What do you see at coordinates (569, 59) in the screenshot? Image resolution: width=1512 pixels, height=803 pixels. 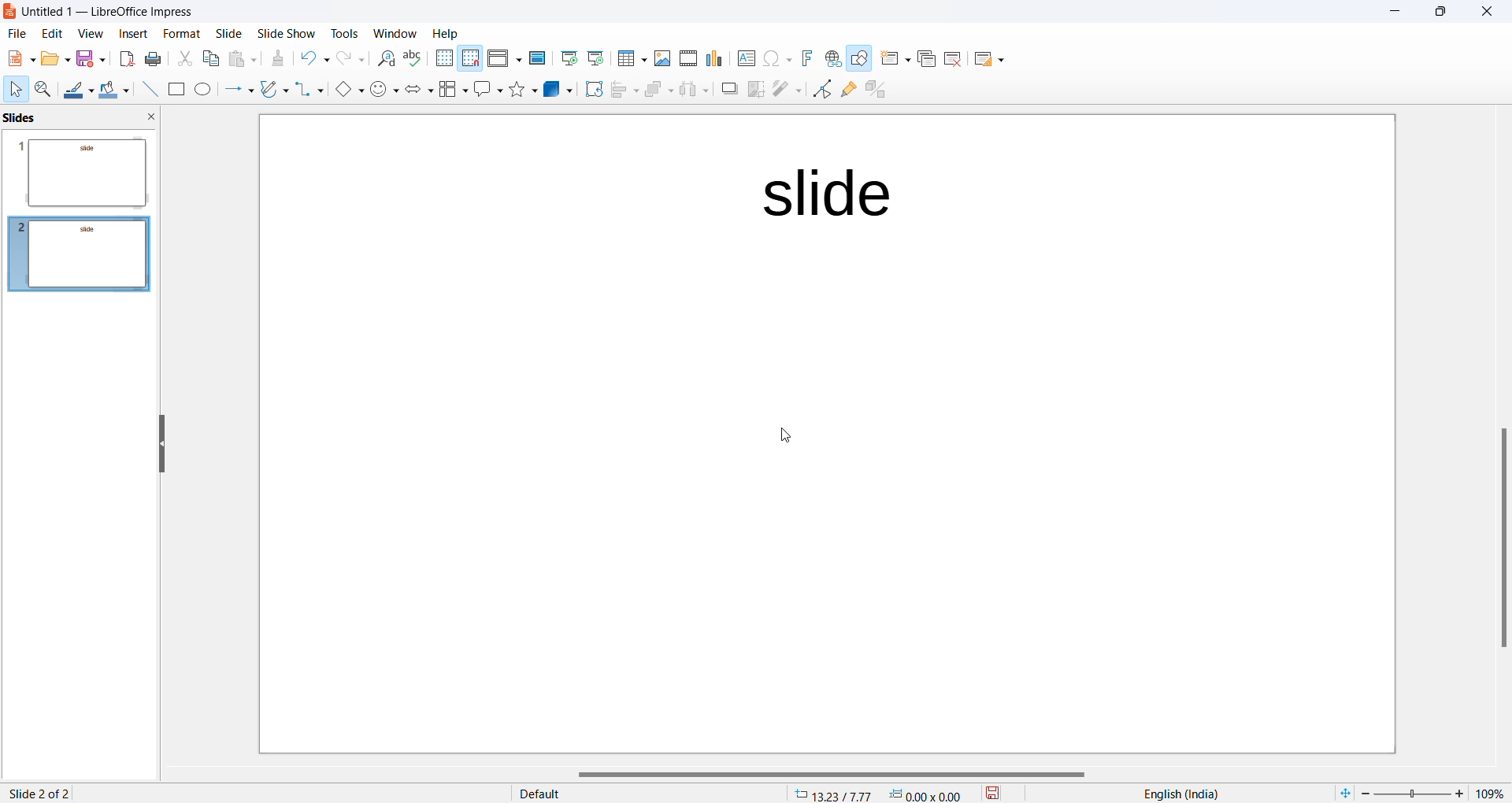 I see `Start from first slide` at bounding box center [569, 59].